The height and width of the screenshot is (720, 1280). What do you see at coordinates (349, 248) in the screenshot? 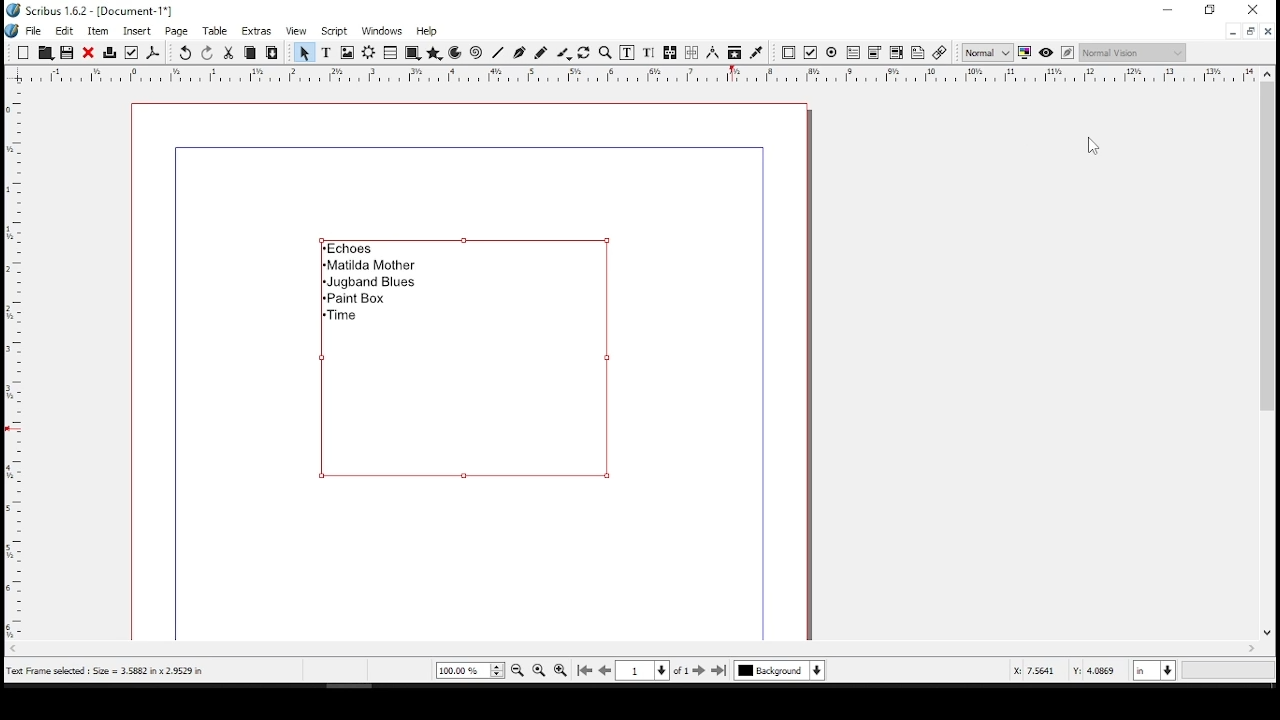
I see `echoes` at bounding box center [349, 248].